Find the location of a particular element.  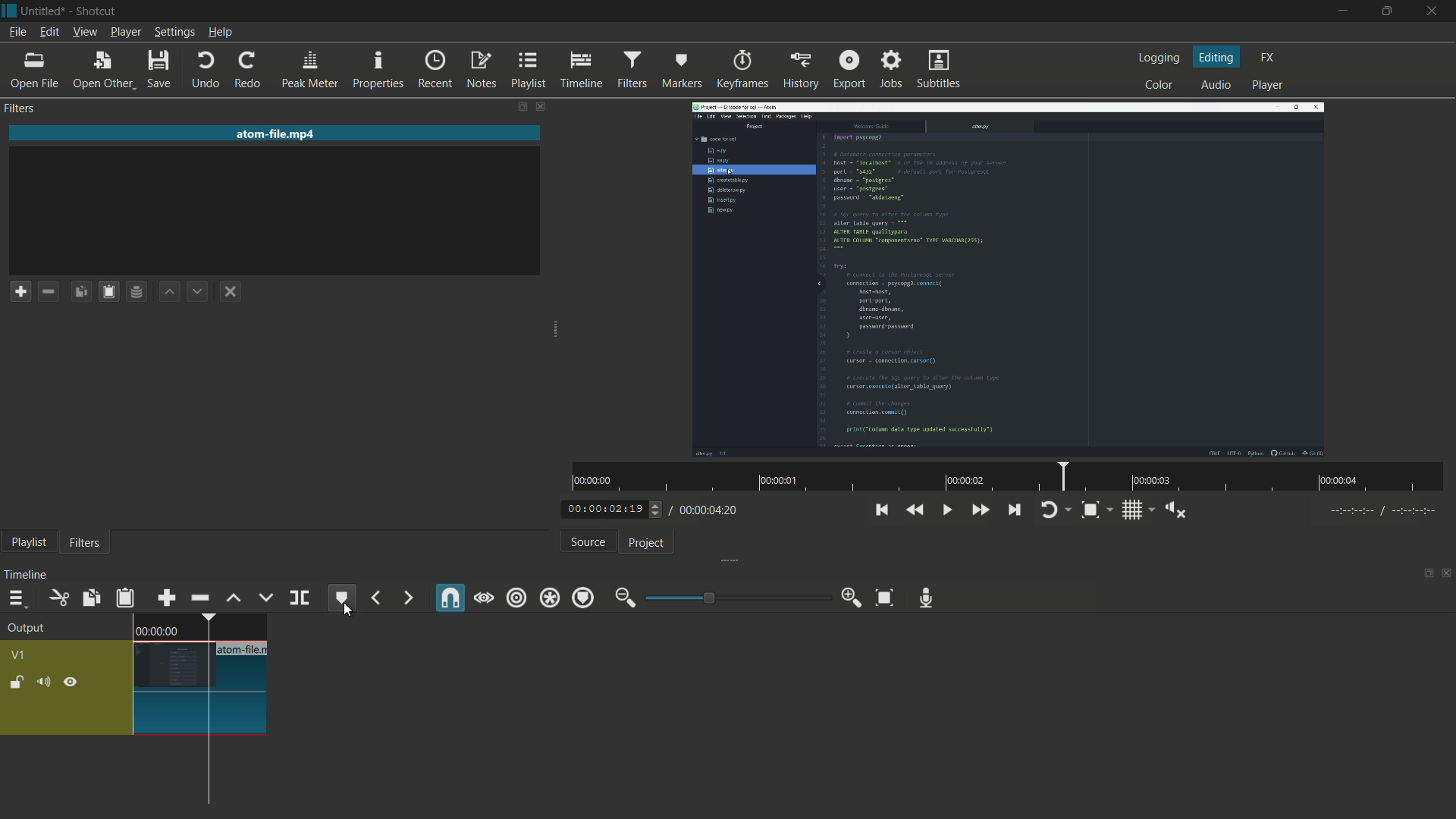

quickly play backward is located at coordinates (915, 510).